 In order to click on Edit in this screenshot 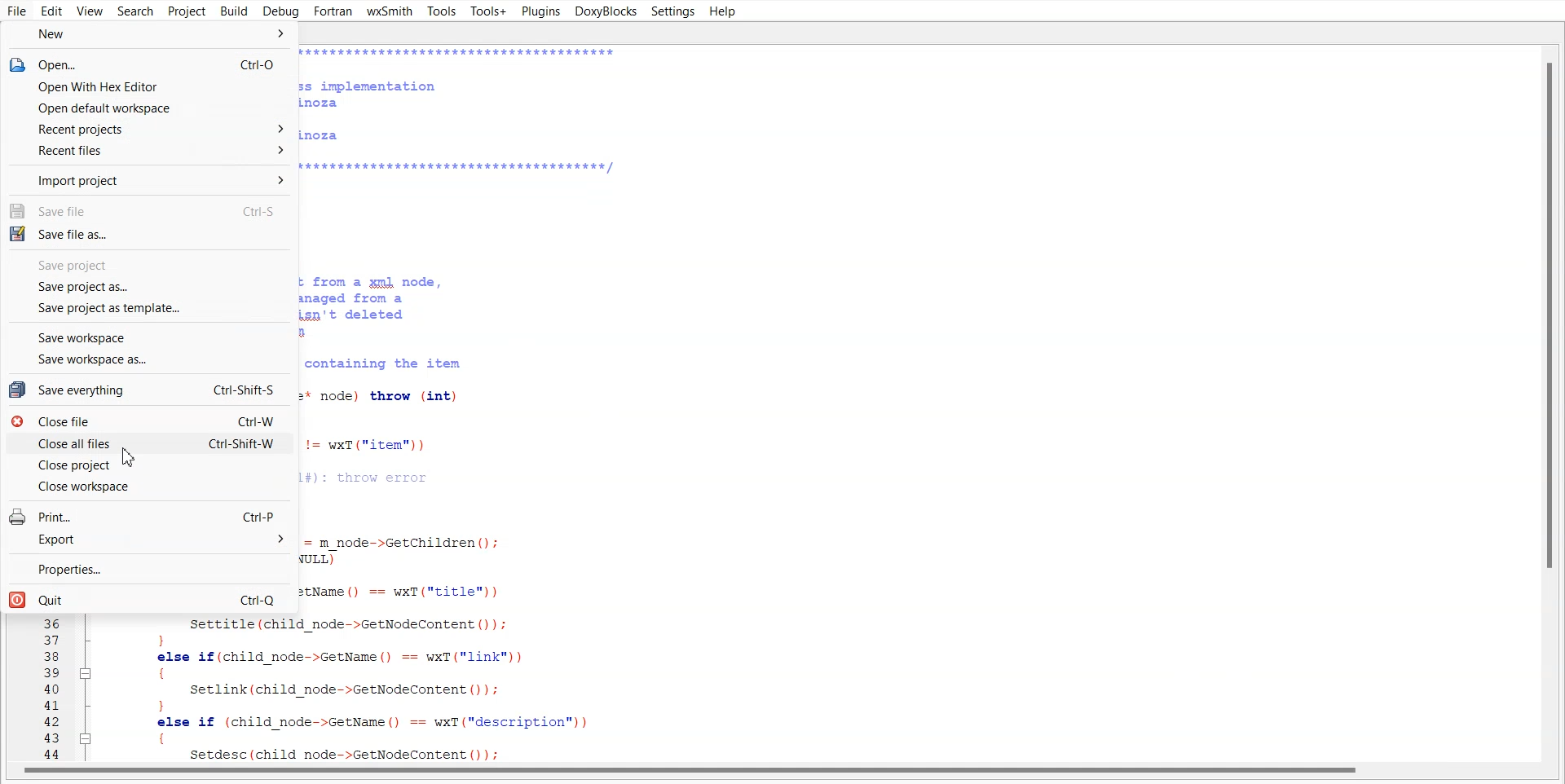, I will do `click(52, 11)`.